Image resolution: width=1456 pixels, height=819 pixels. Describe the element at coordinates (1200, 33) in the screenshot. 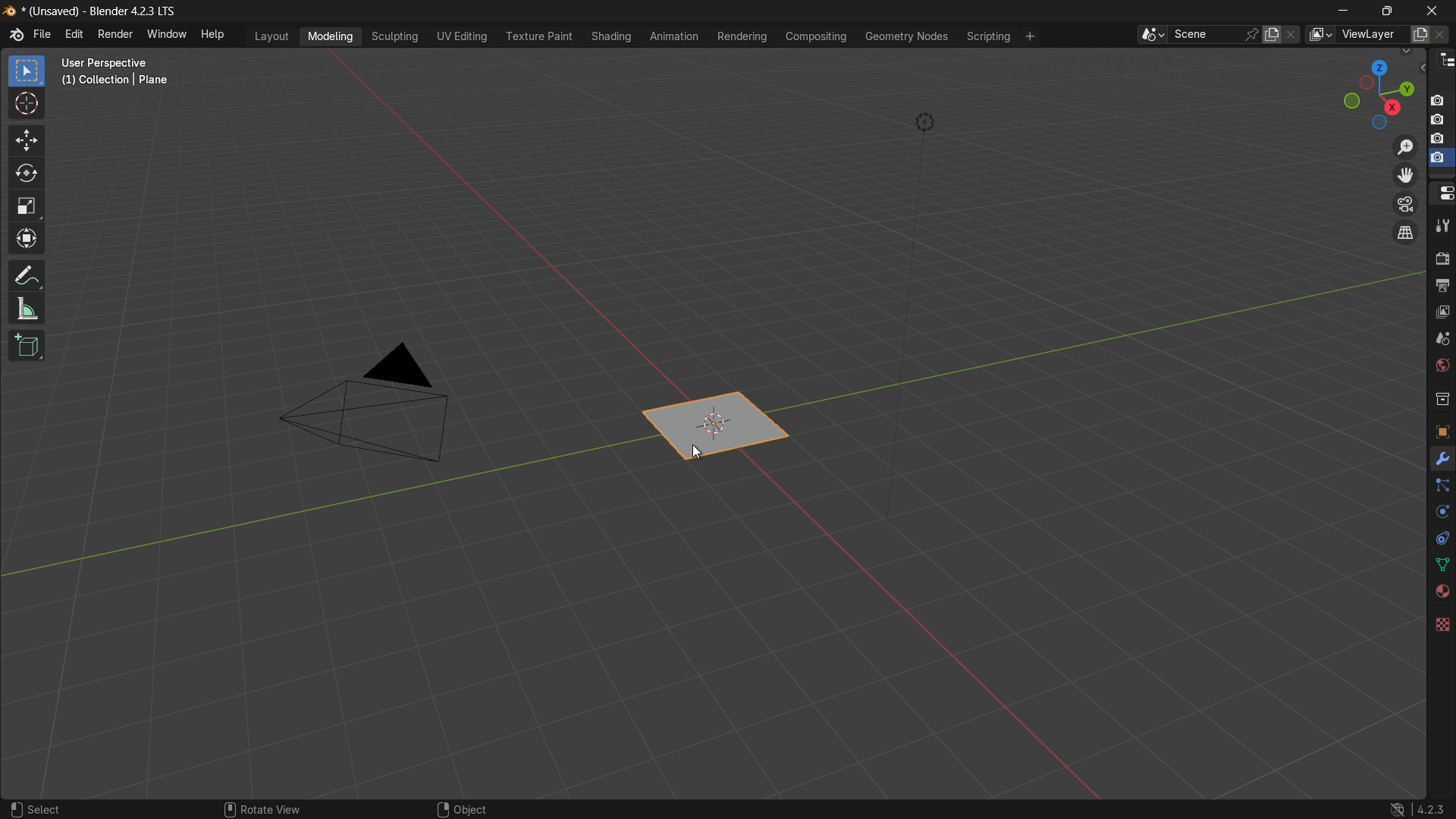

I see `scene name` at that location.